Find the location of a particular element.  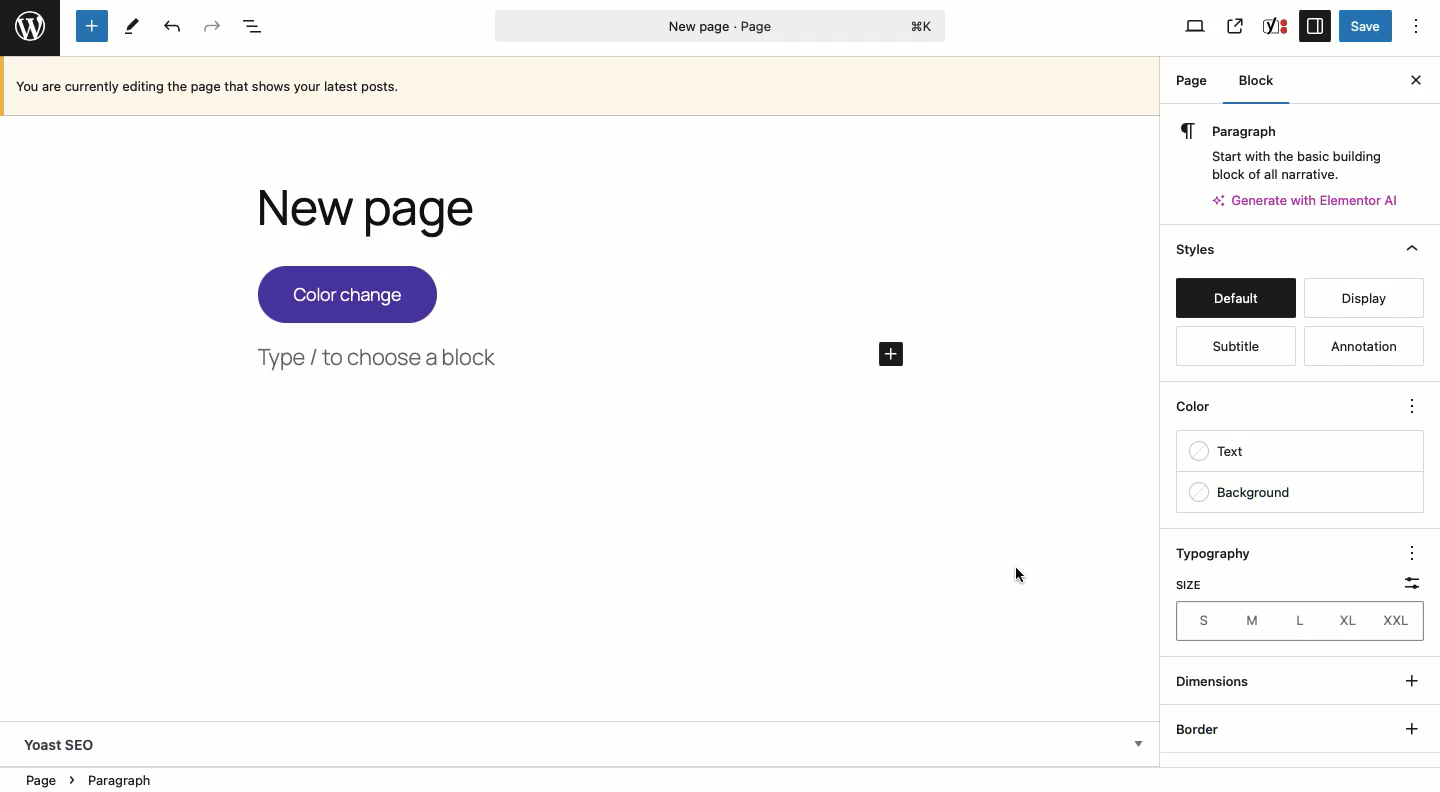

options is located at coordinates (1414, 552).